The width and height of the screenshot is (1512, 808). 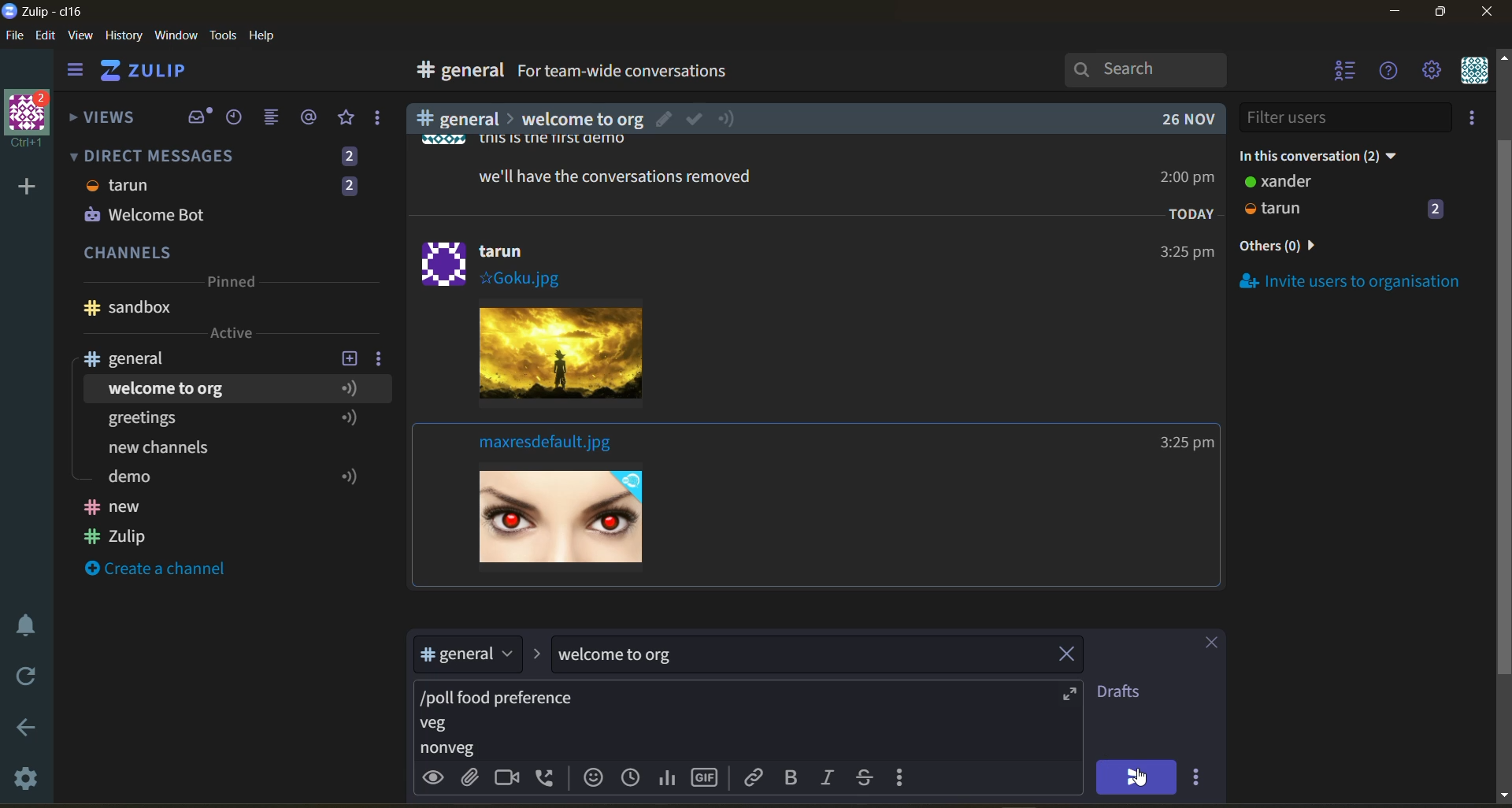 What do you see at coordinates (475, 775) in the screenshot?
I see `upload files` at bounding box center [475, 775].